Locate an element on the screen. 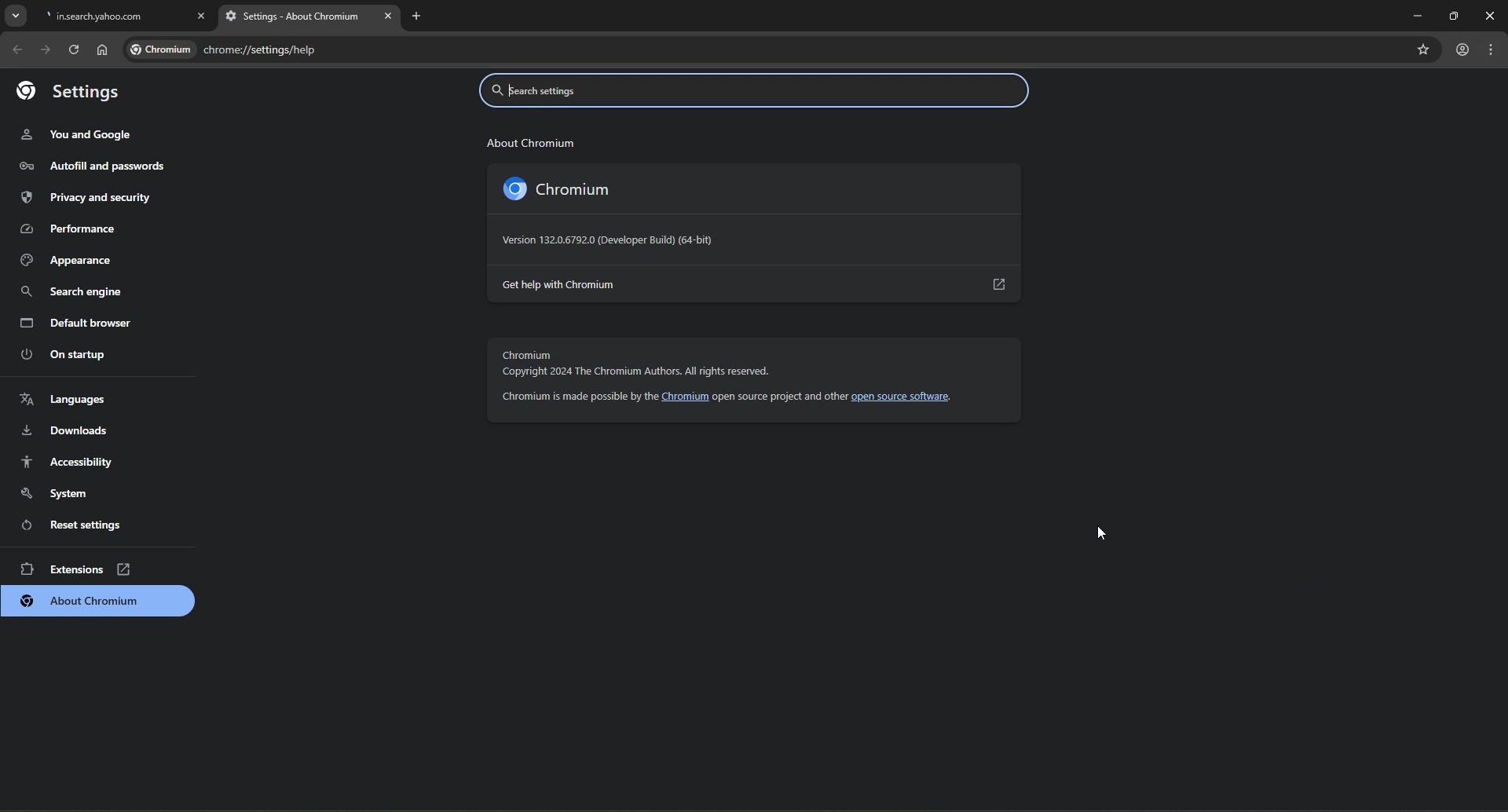  Software origin is located at coordinates (611, 240).